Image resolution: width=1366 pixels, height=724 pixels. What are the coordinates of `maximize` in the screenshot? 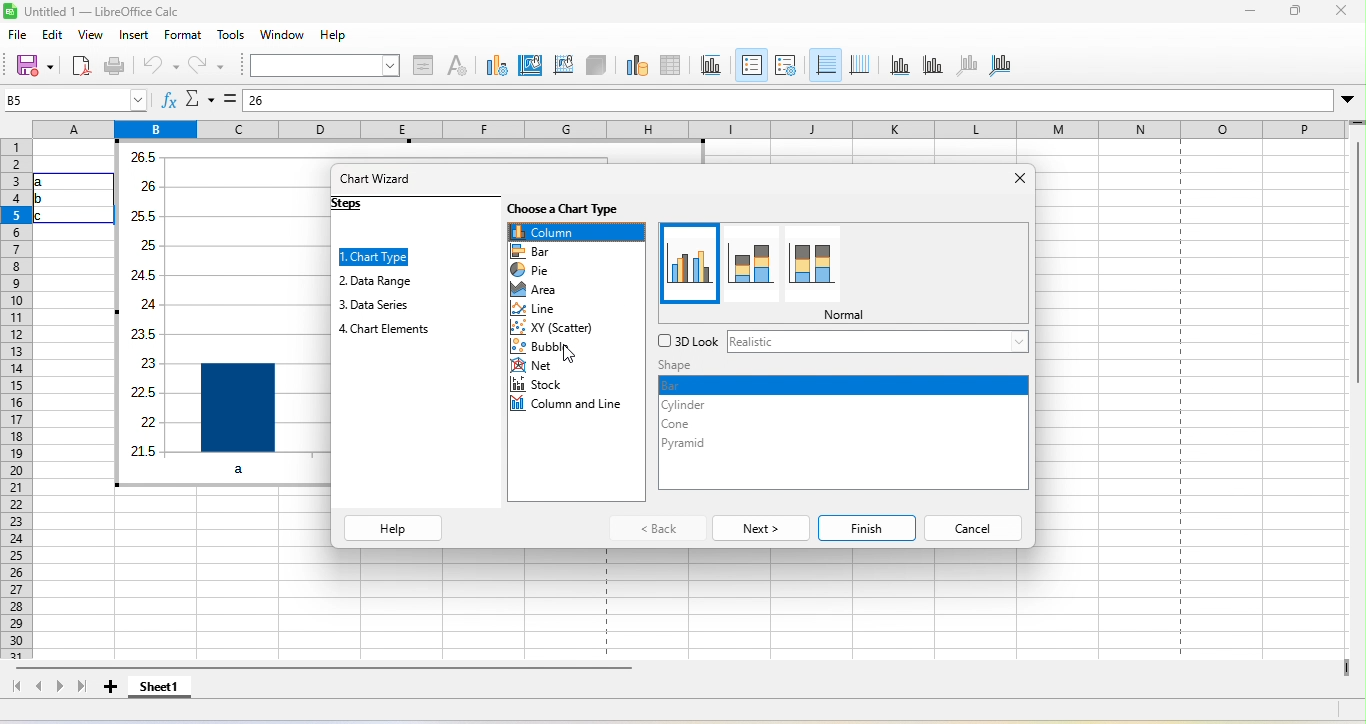 It's located at (1297, 13).